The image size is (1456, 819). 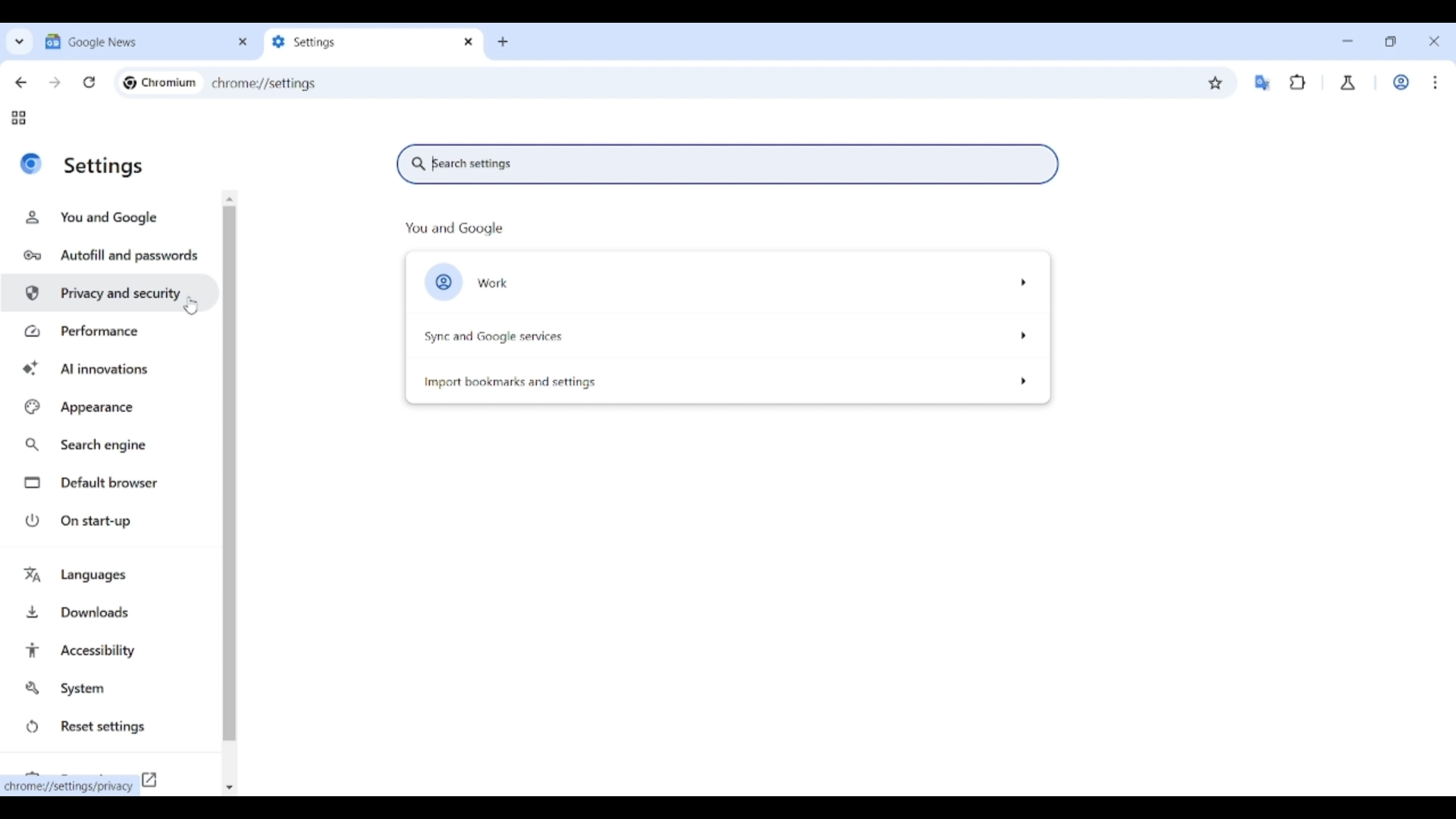 What do you see at coordinates (723, 379) in the screenshot?
I see `Import bookmark and setting options` at bounding box center [723, 379].